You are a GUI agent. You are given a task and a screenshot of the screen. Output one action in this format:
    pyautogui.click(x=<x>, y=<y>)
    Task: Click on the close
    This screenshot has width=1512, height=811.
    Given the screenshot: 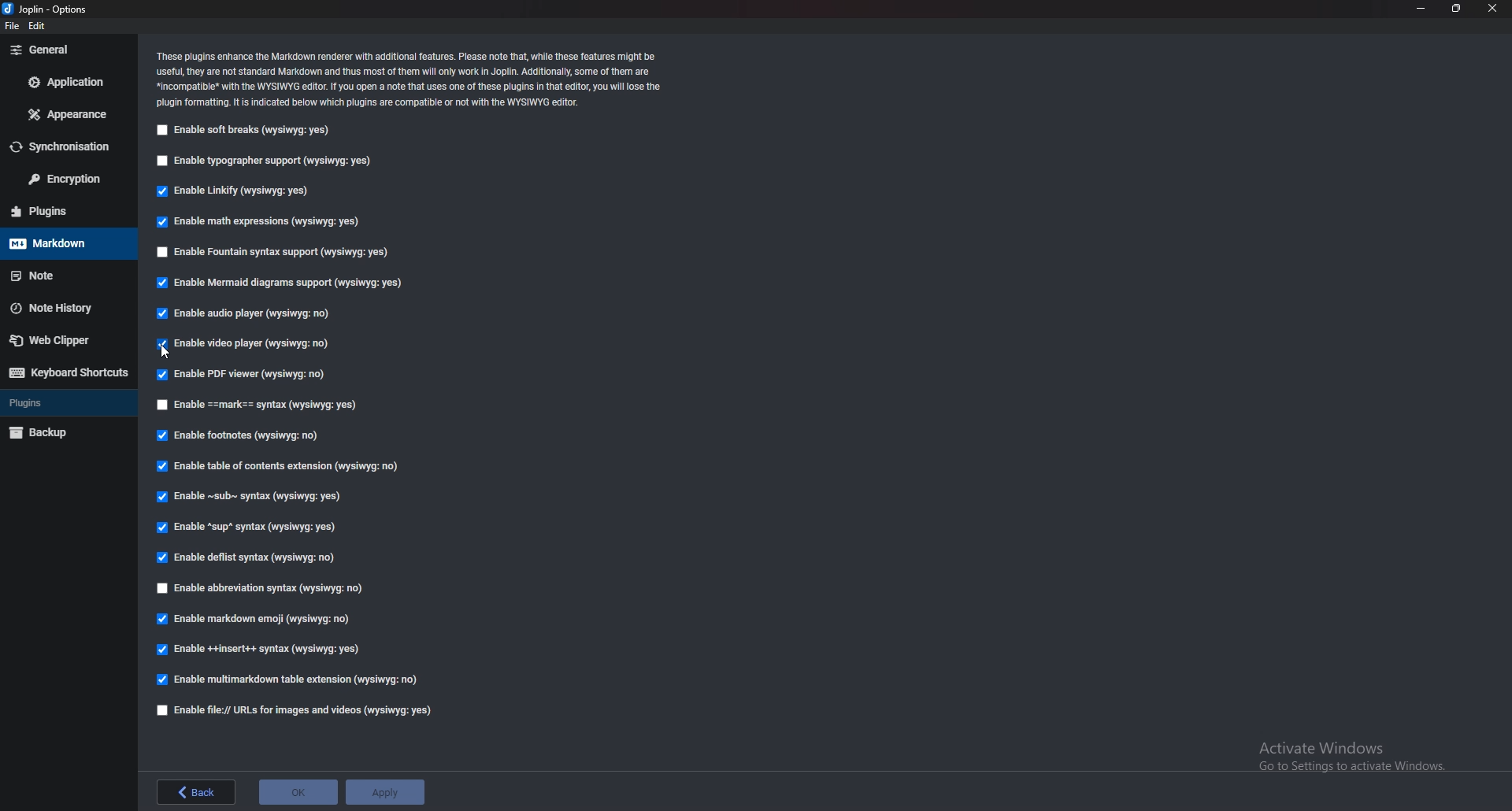 What is the action you would take?
    pyautogui.click(x=1490, y=9)
    